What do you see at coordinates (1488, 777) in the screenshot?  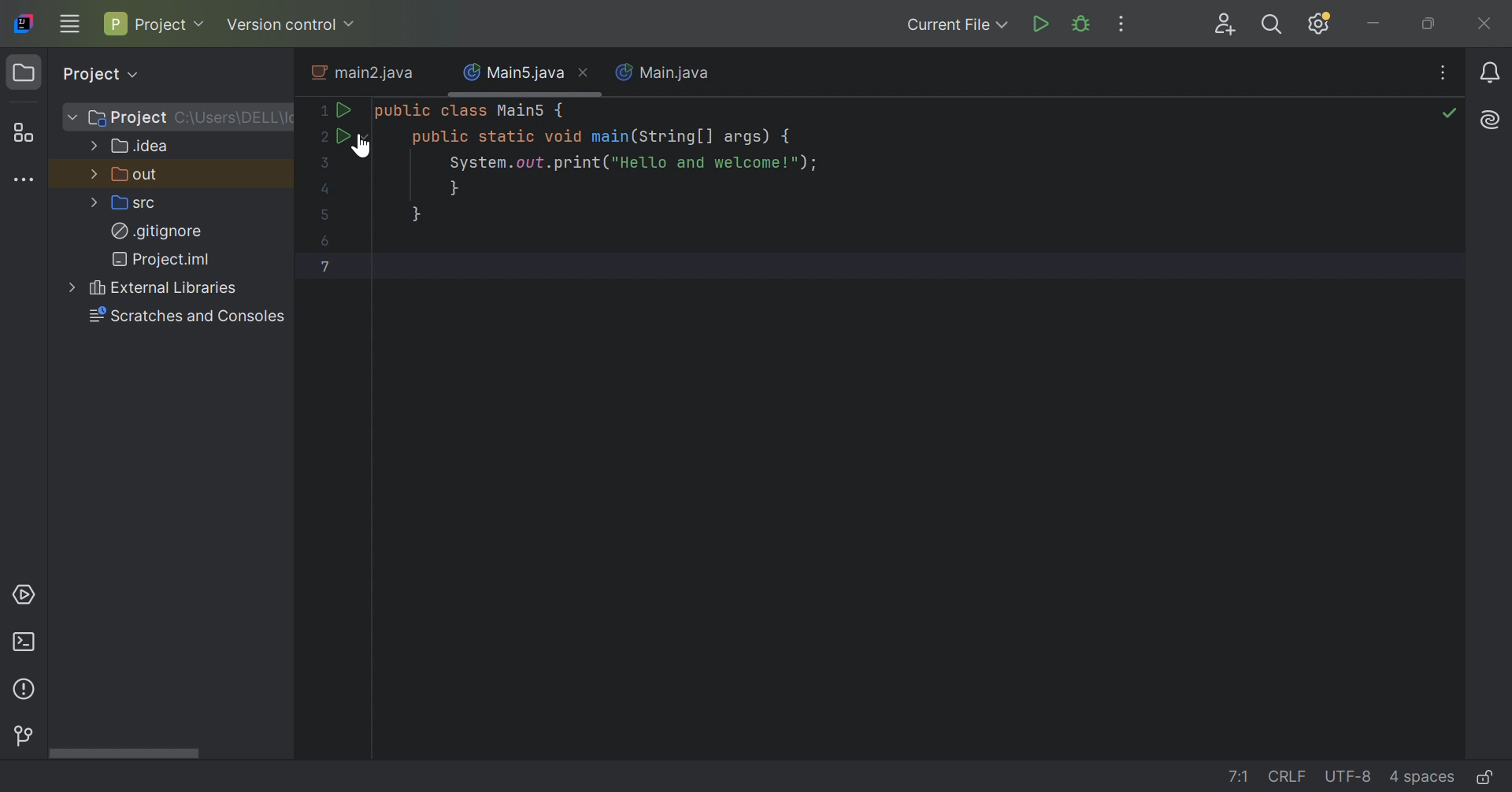 I see `Make file read-only` at bounding box center [1488, 777].